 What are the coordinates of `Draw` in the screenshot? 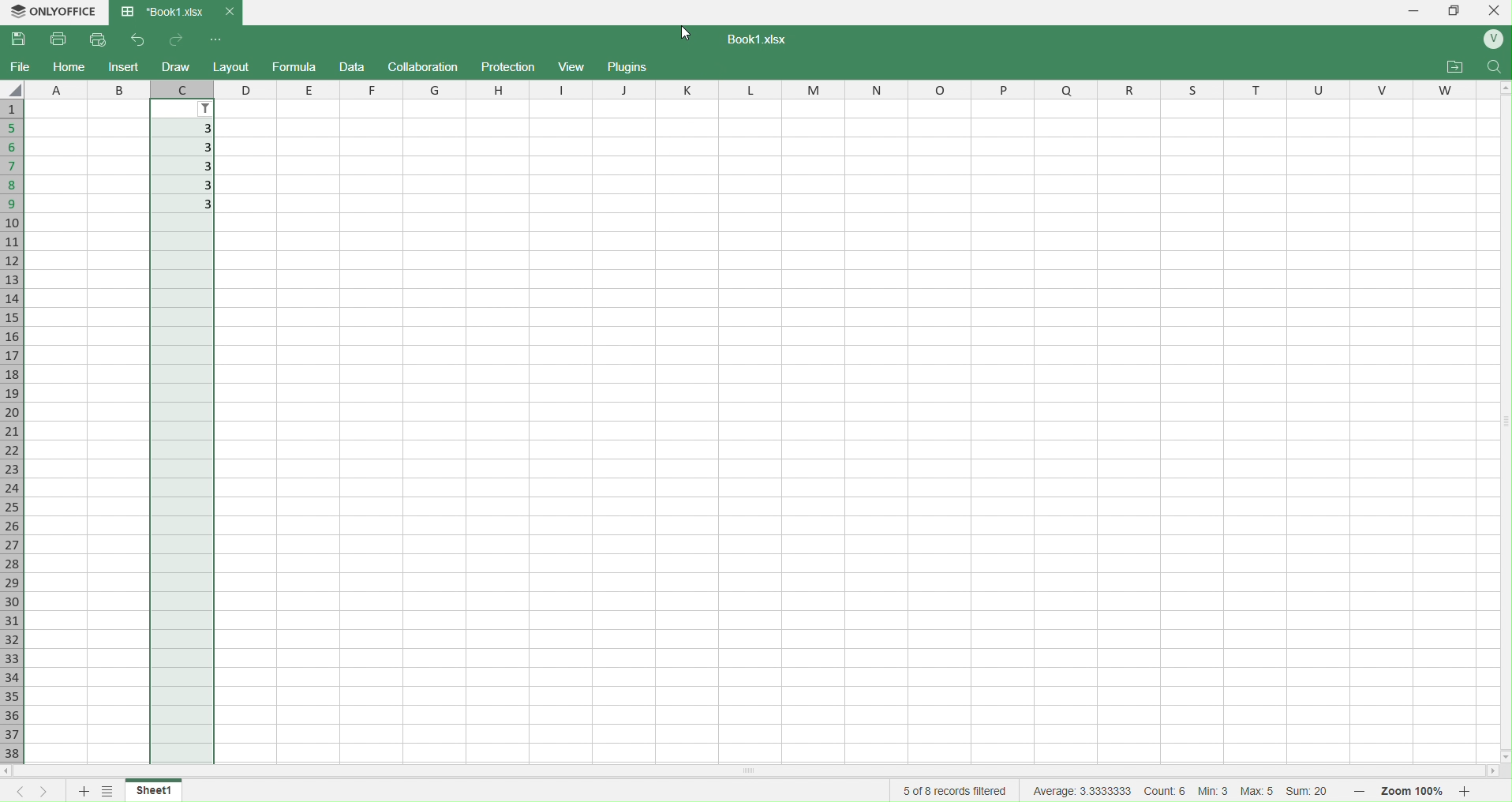 It's located at (175, 66).